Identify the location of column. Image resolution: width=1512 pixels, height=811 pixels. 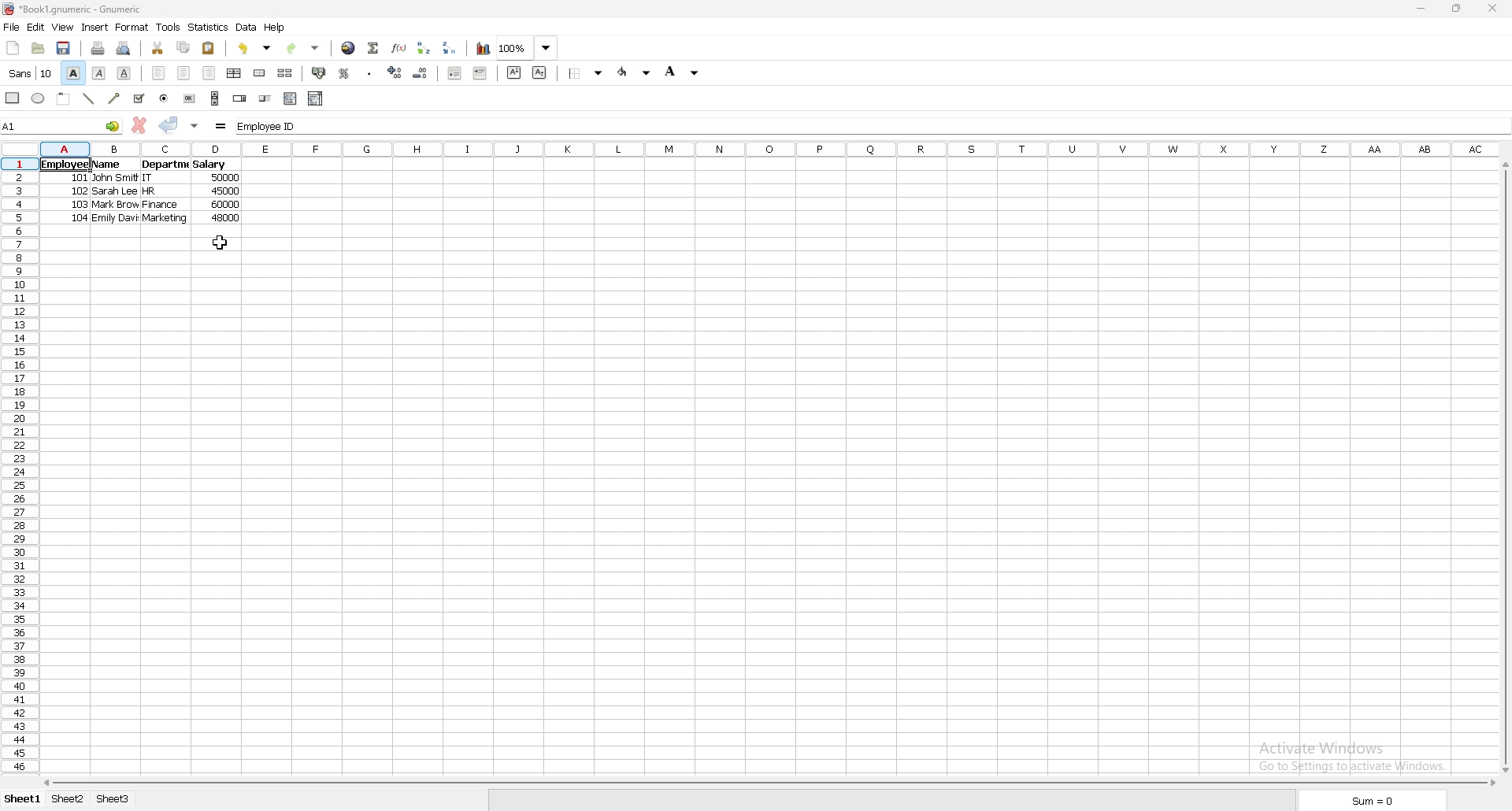
(770, 150).